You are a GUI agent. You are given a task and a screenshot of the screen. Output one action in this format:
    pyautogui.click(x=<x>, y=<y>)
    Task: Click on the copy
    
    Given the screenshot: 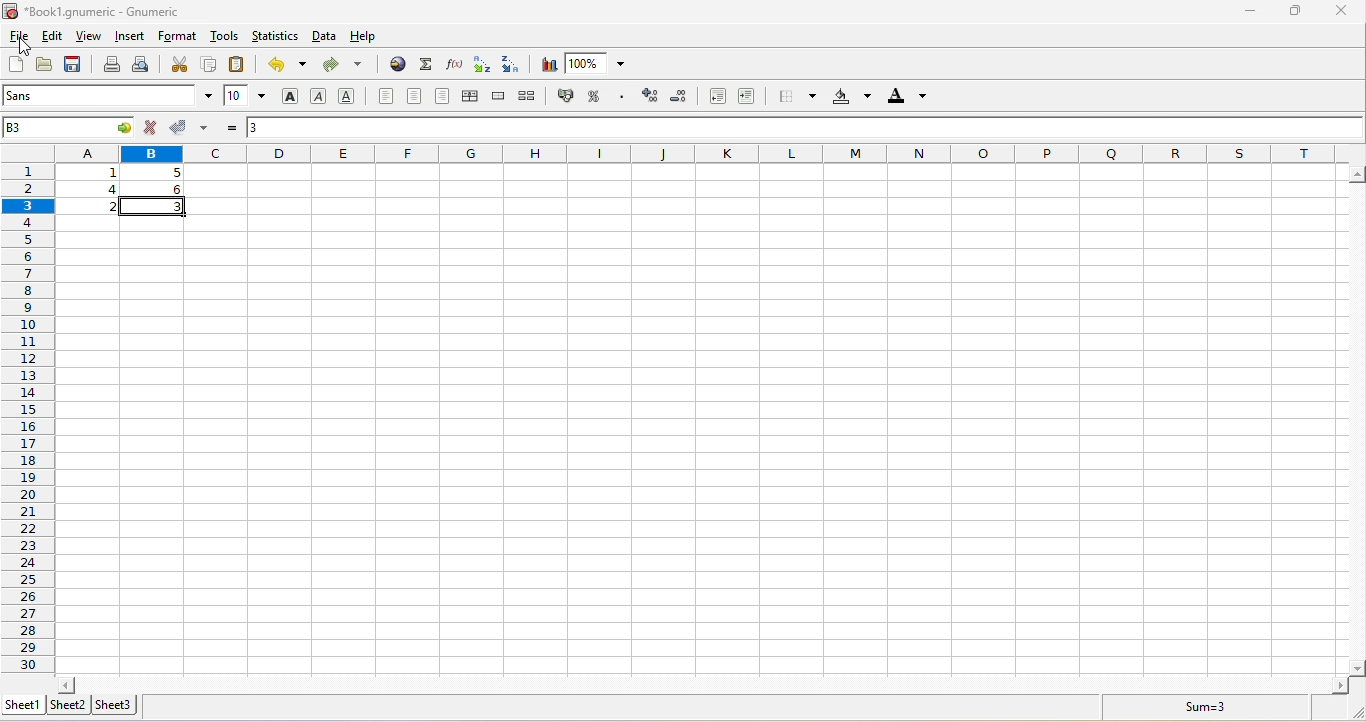 What is the action you would take?
    pyautogui.click(x=211, y=65)
    